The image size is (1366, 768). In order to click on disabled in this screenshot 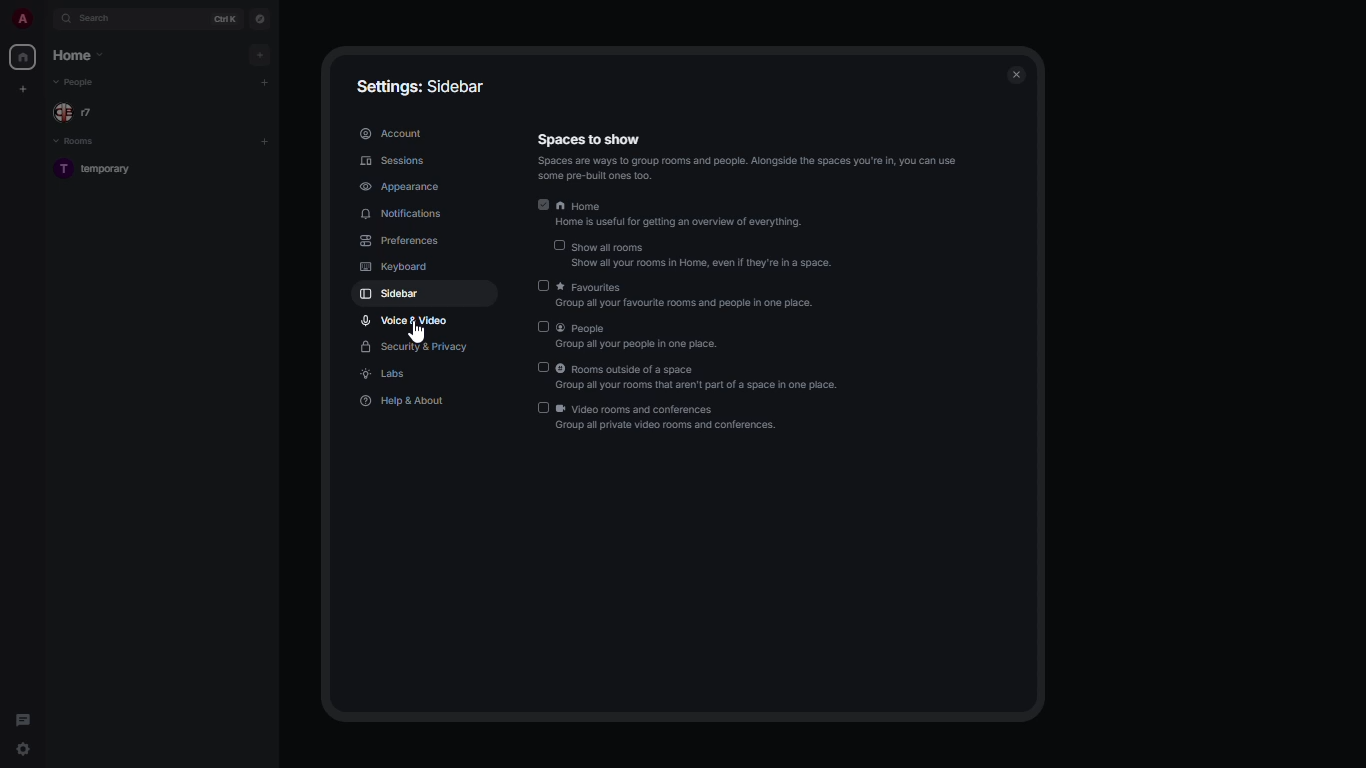, I will do `click(558, 247)`.